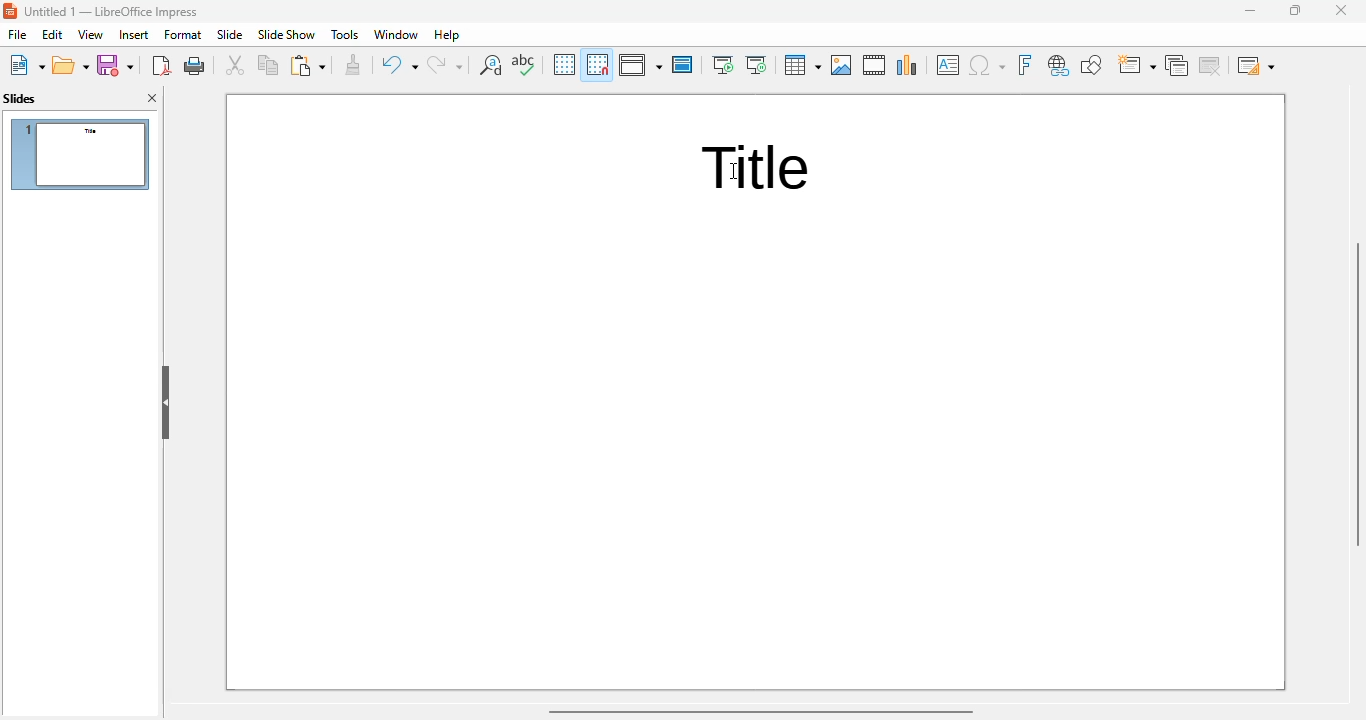 The width and height of the screenshot is (1366, 720). I want to click on insert special characters, so click(987, 65).